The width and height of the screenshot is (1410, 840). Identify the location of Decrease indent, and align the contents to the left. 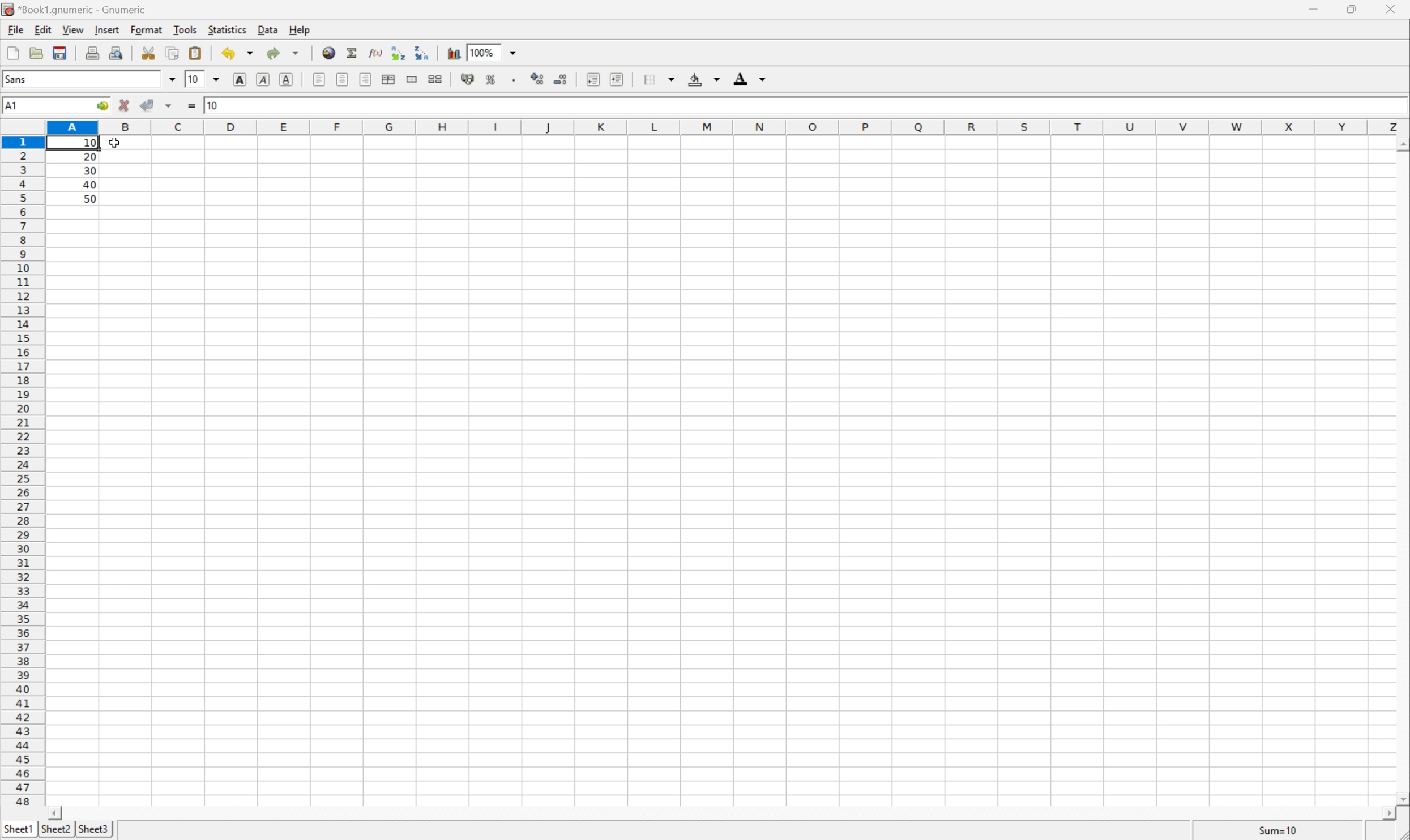
(593, 78).